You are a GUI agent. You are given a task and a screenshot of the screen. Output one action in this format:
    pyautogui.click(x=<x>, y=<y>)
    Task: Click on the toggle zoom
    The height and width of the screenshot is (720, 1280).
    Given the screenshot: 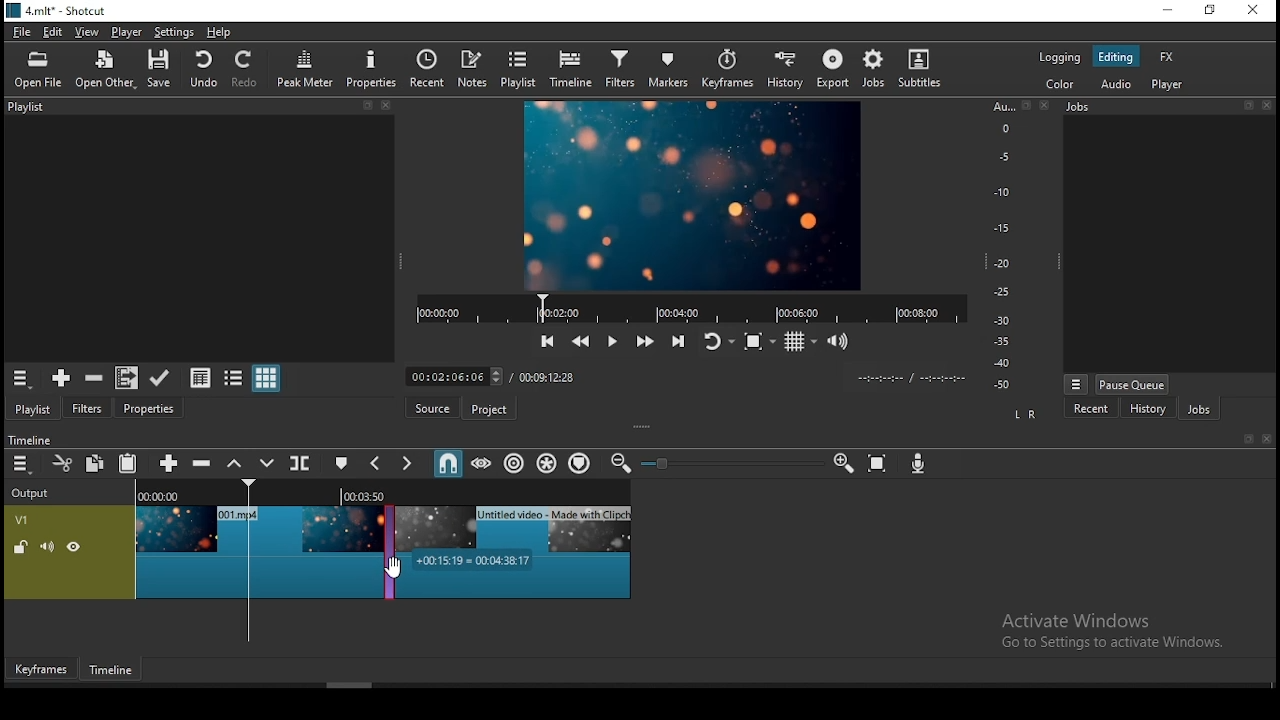 What is the action you would take?
    pyautogui.click(x=758, y=342)
    